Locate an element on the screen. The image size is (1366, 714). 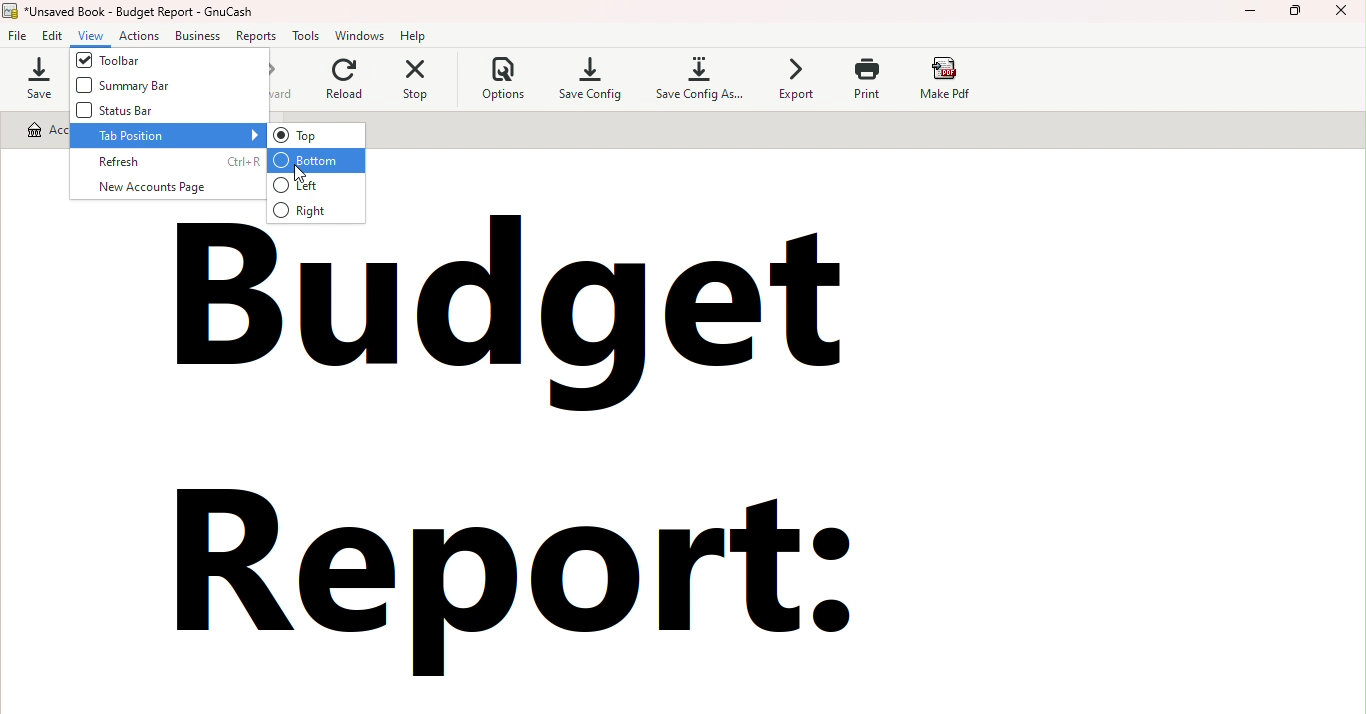
Tools is located at coordinates (308, 36).